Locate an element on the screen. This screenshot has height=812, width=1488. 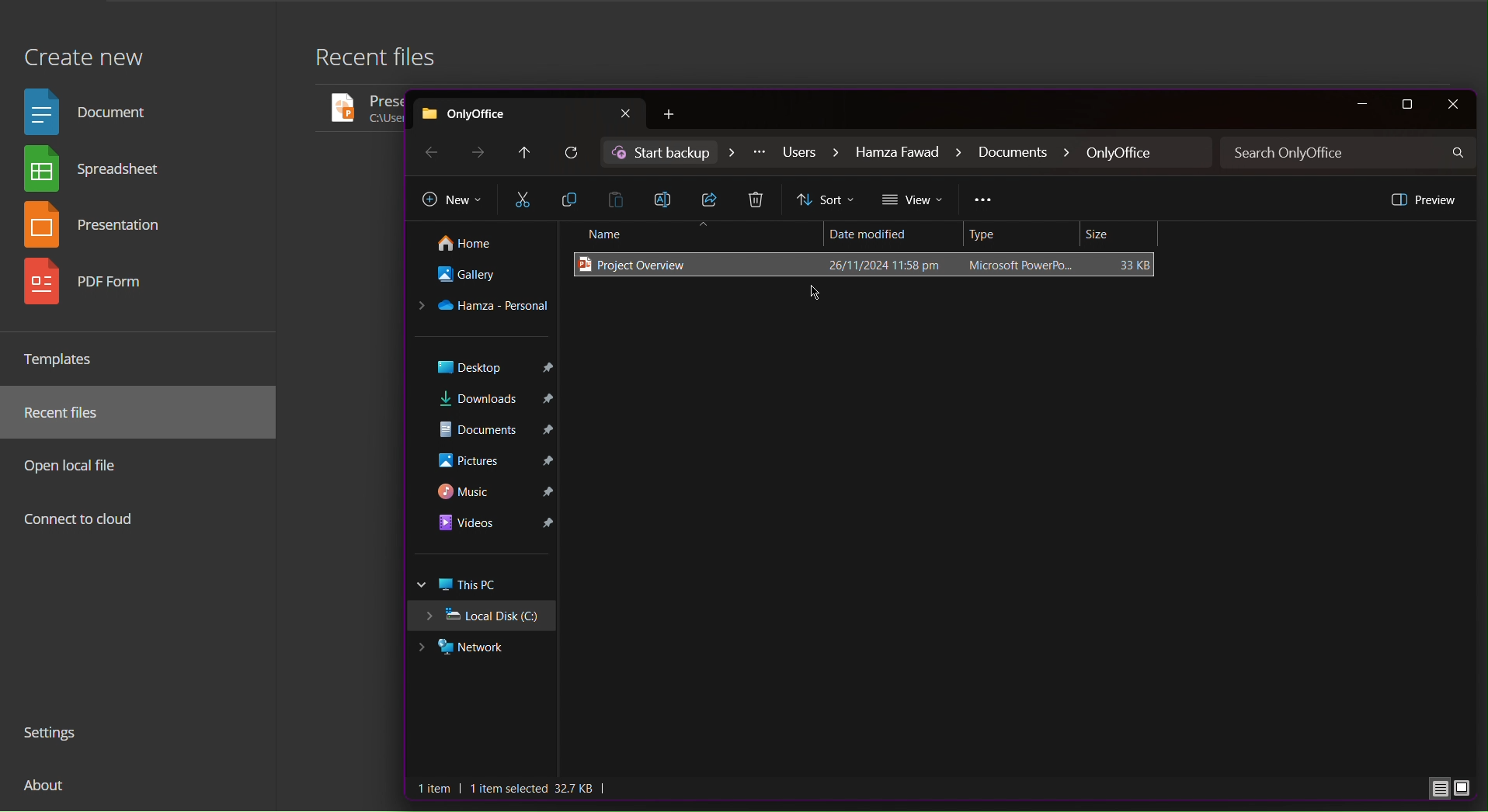
Settings is located at coordinates (57, 735).